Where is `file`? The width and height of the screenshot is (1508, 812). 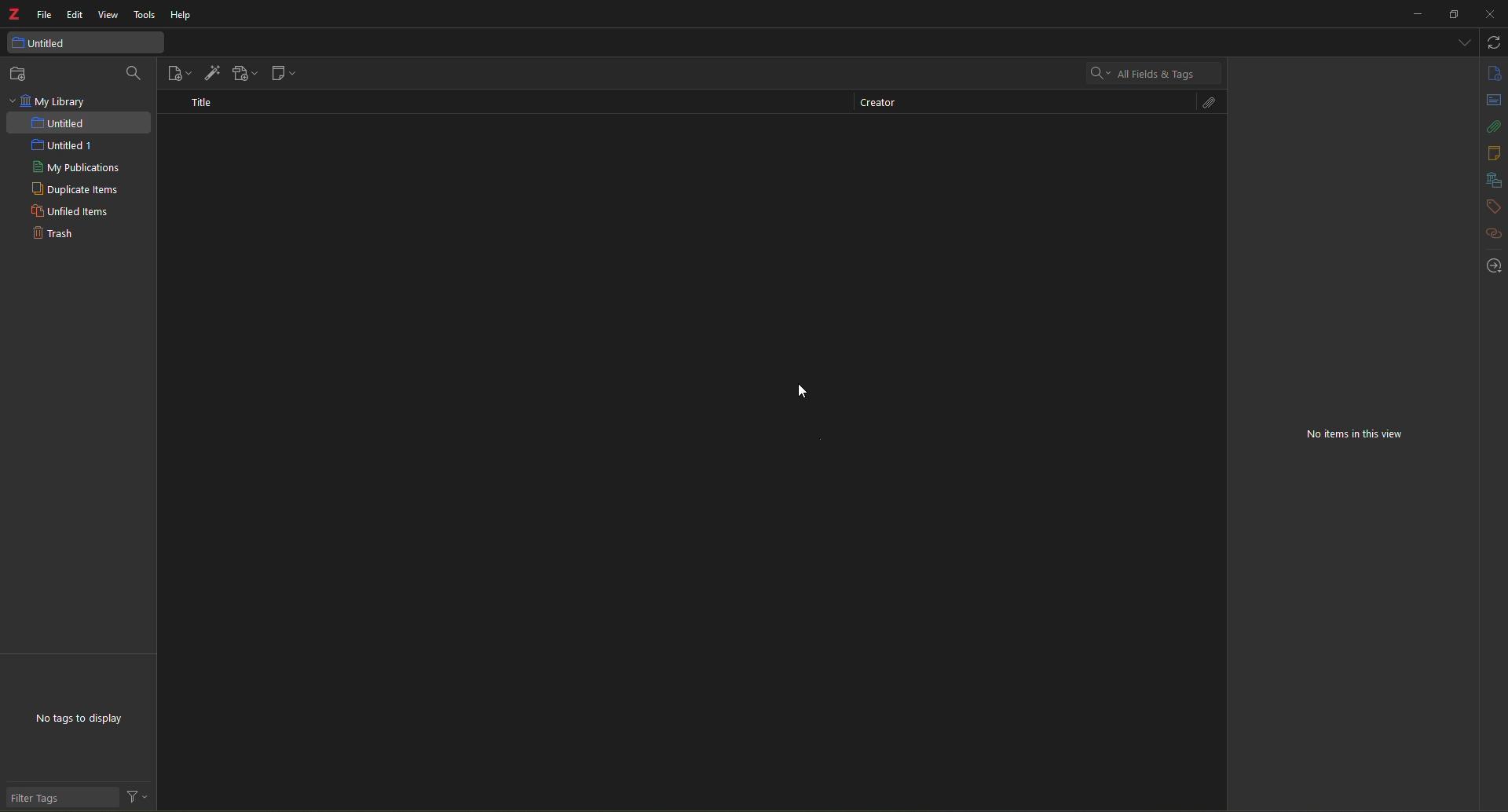
file is located at coordinates (46, 15).